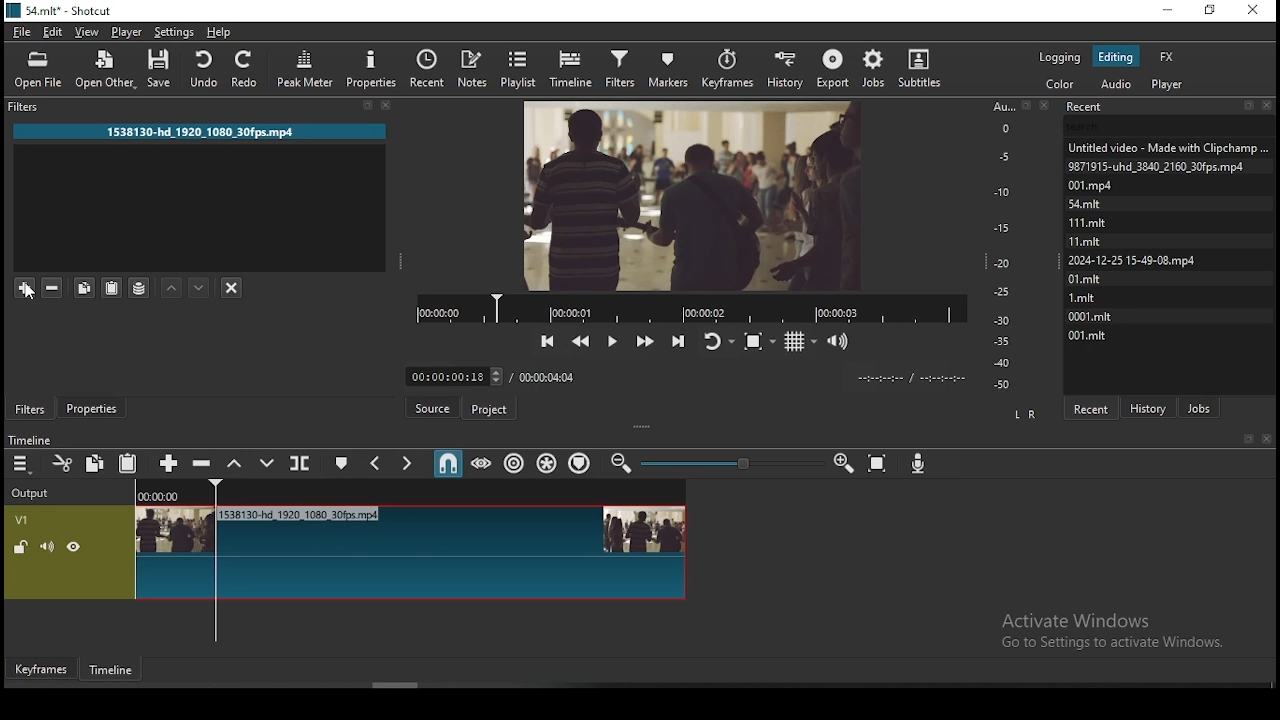 This screenshot has width=1280, height=720. What do you see at coordinates (1118, 87) in the screenshot?
I see `audio` at bounding box center [1118, 87].